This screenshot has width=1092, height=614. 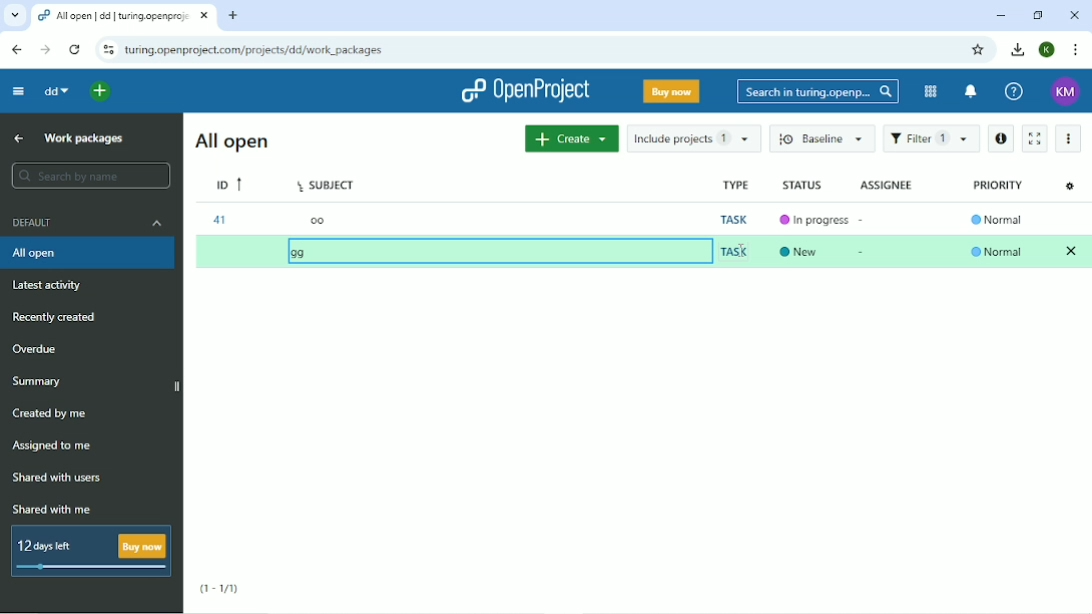 What do you see at coordinates (810, 220) in the screenshot?
I see `In progress` at bounding box center [810, 220].